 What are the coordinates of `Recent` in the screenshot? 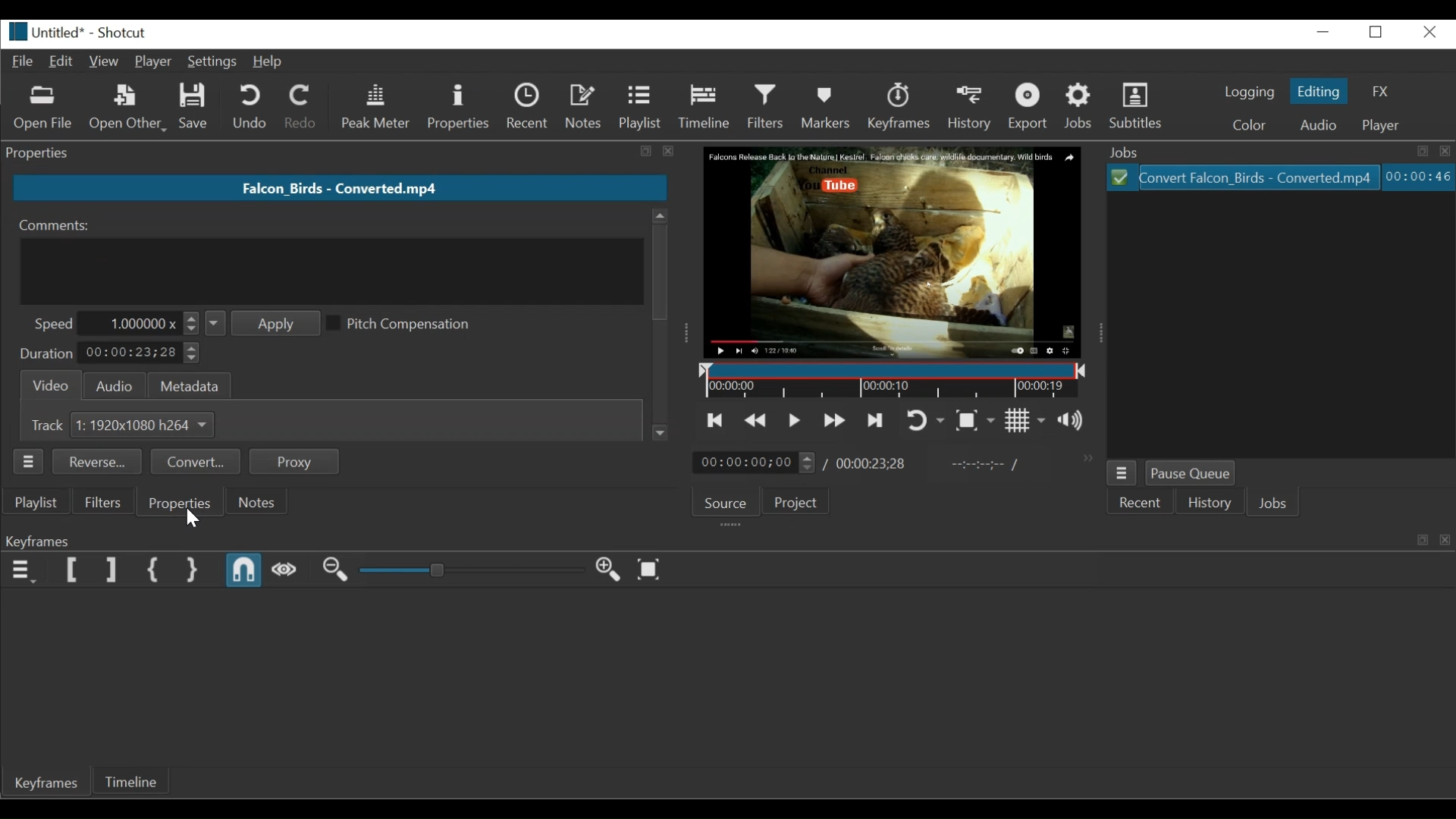 It's located at (1141, 504).